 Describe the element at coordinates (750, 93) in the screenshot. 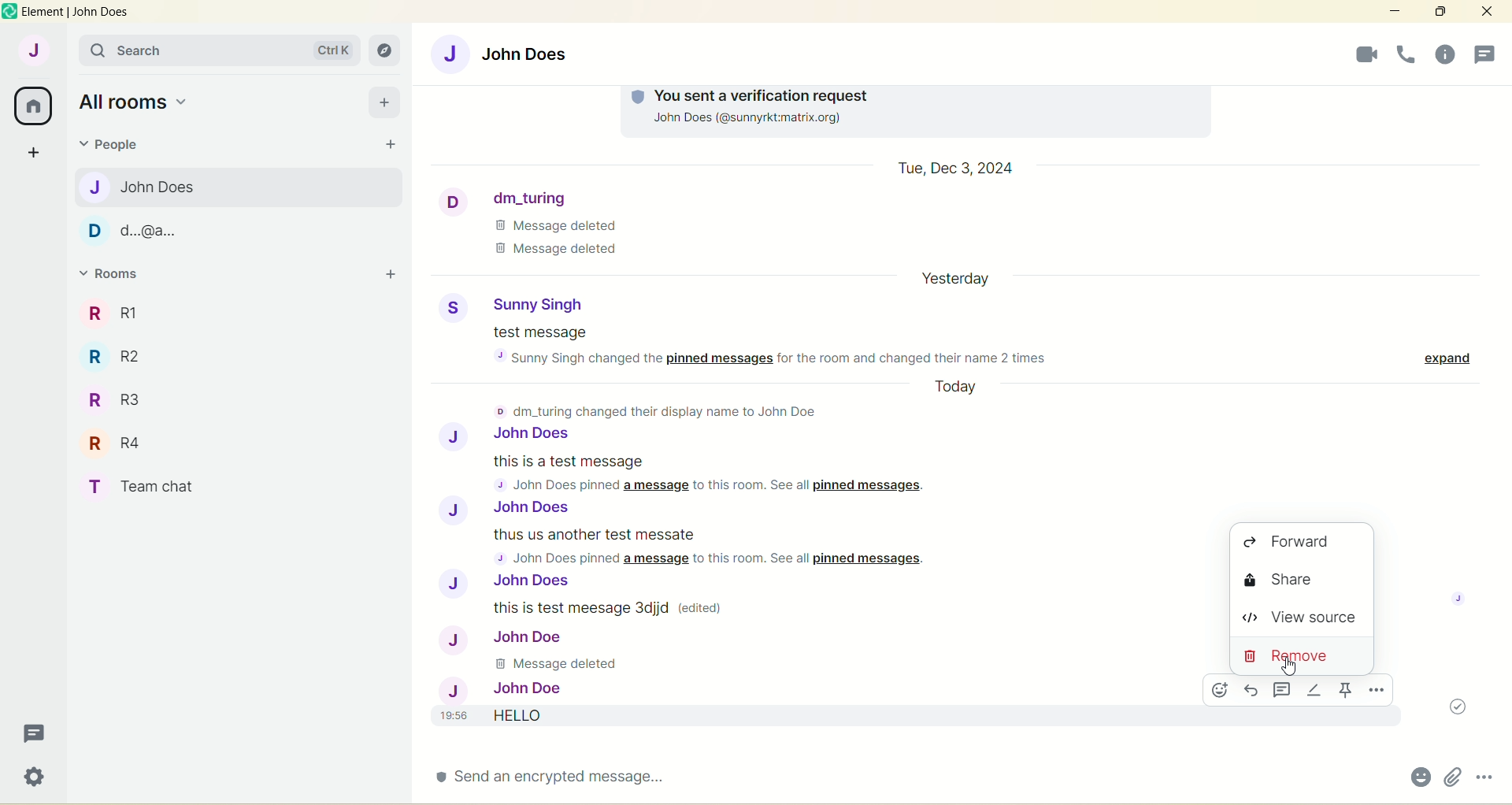

I see `You Sent a verification request ` at that location.